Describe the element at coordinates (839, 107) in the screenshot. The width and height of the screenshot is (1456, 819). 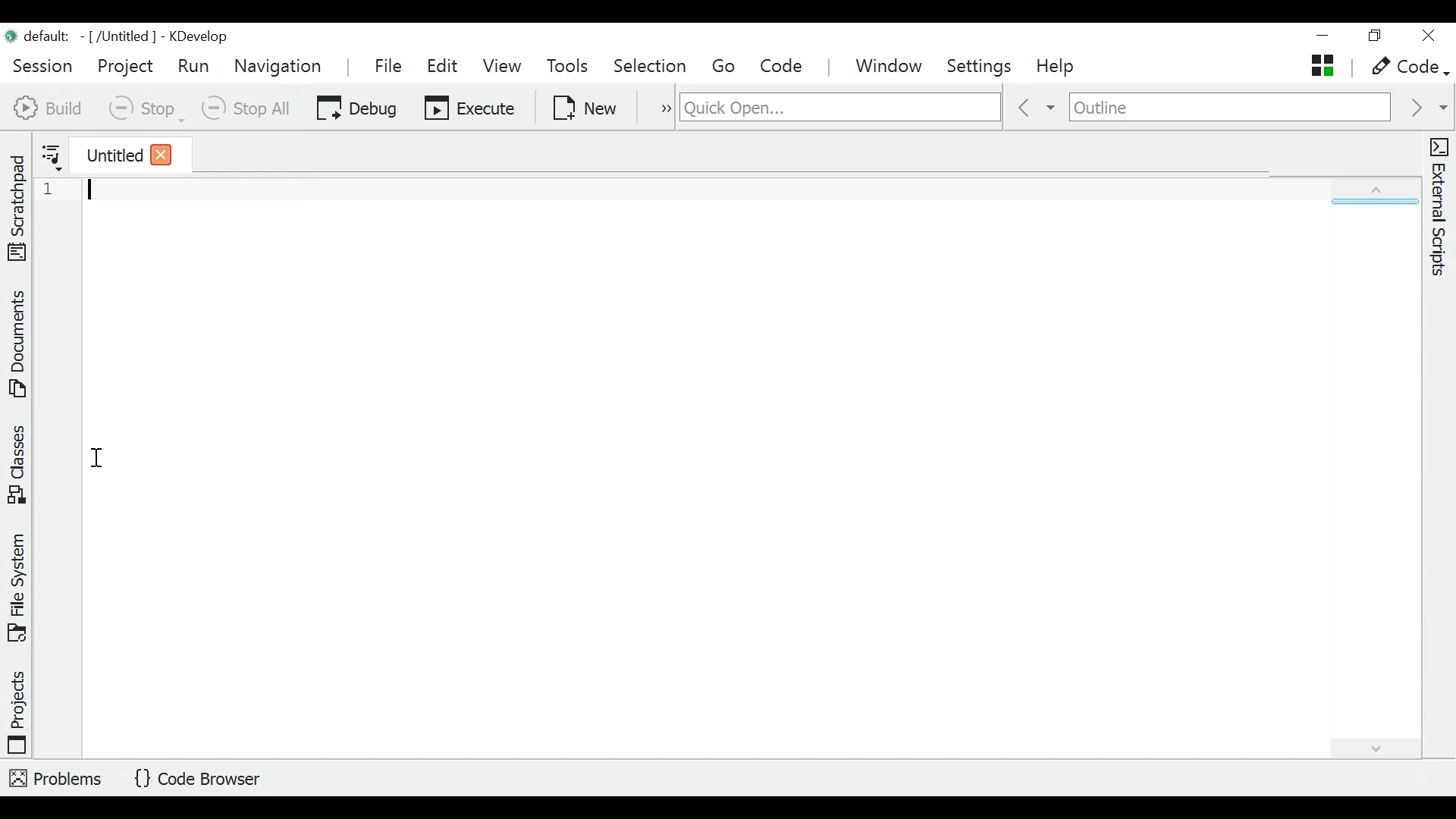
I see `search for files, classes, functions and more` at that location.